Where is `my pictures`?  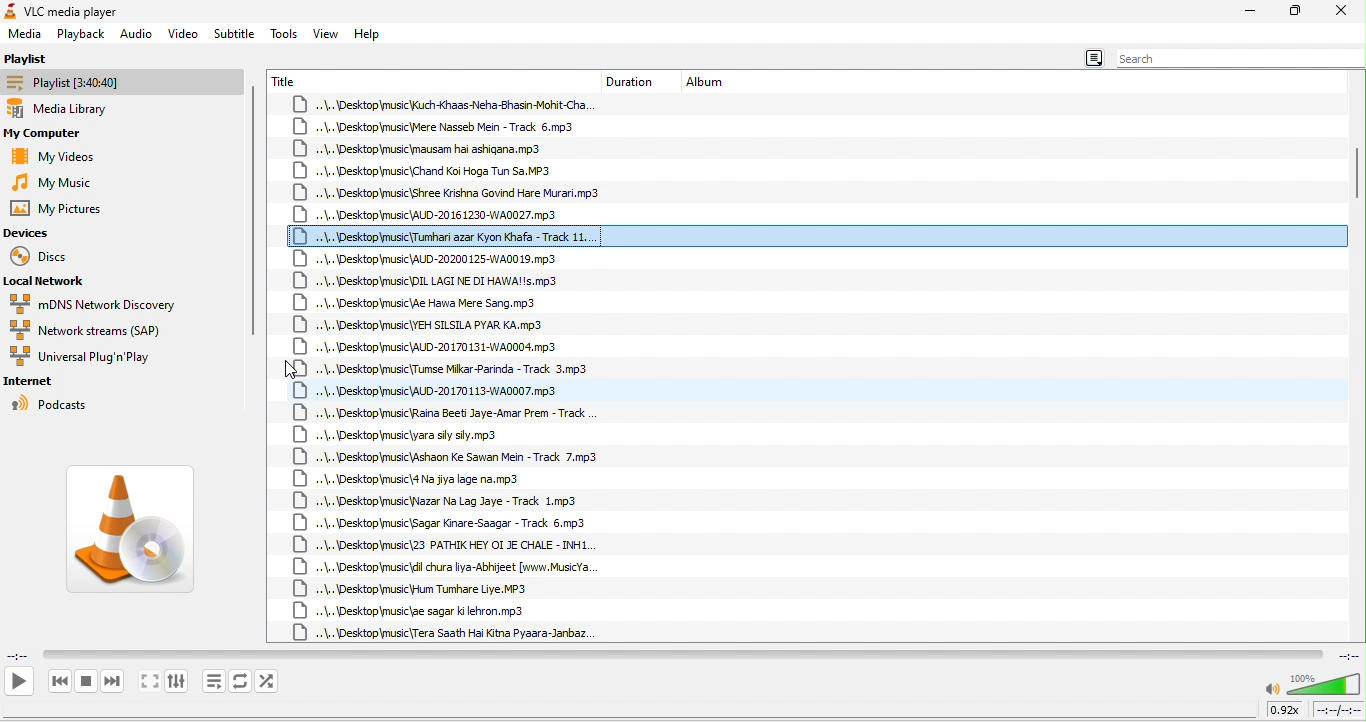
my pictures is located at coordinates (69, 210).